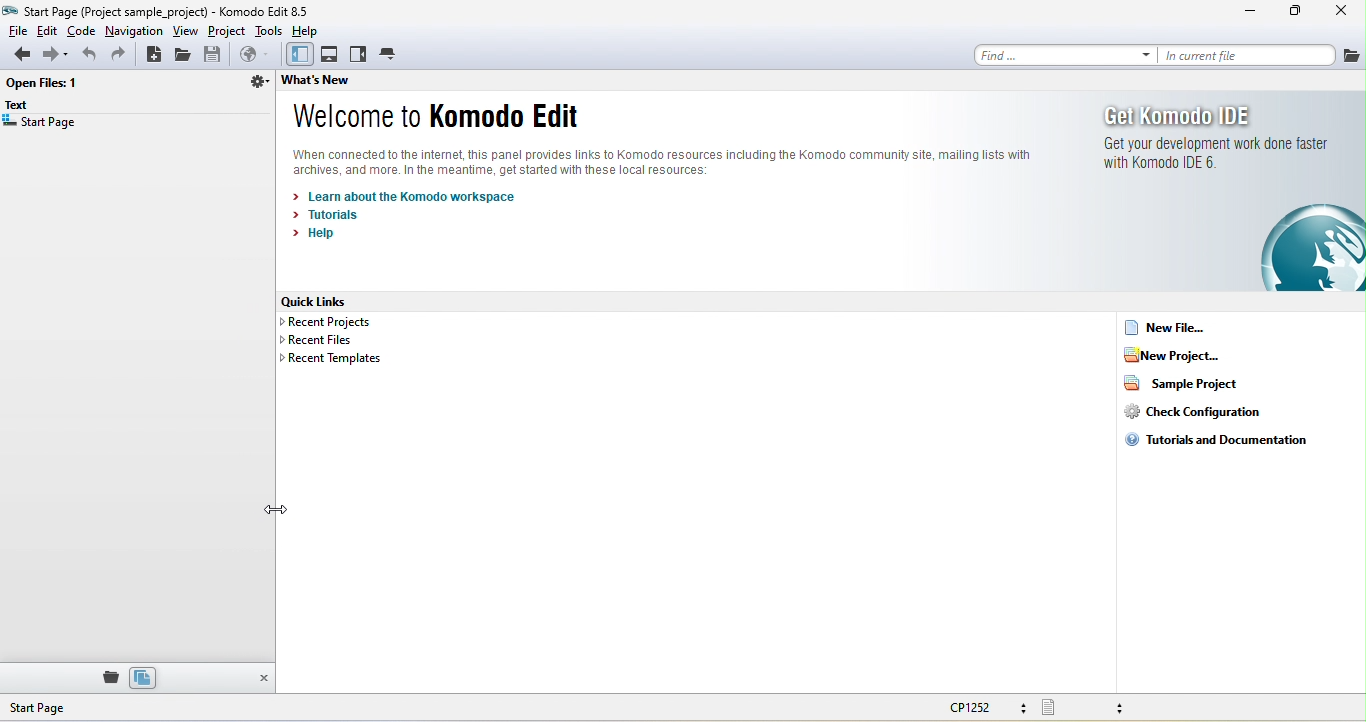  I want to click on code, so click(82, 30).